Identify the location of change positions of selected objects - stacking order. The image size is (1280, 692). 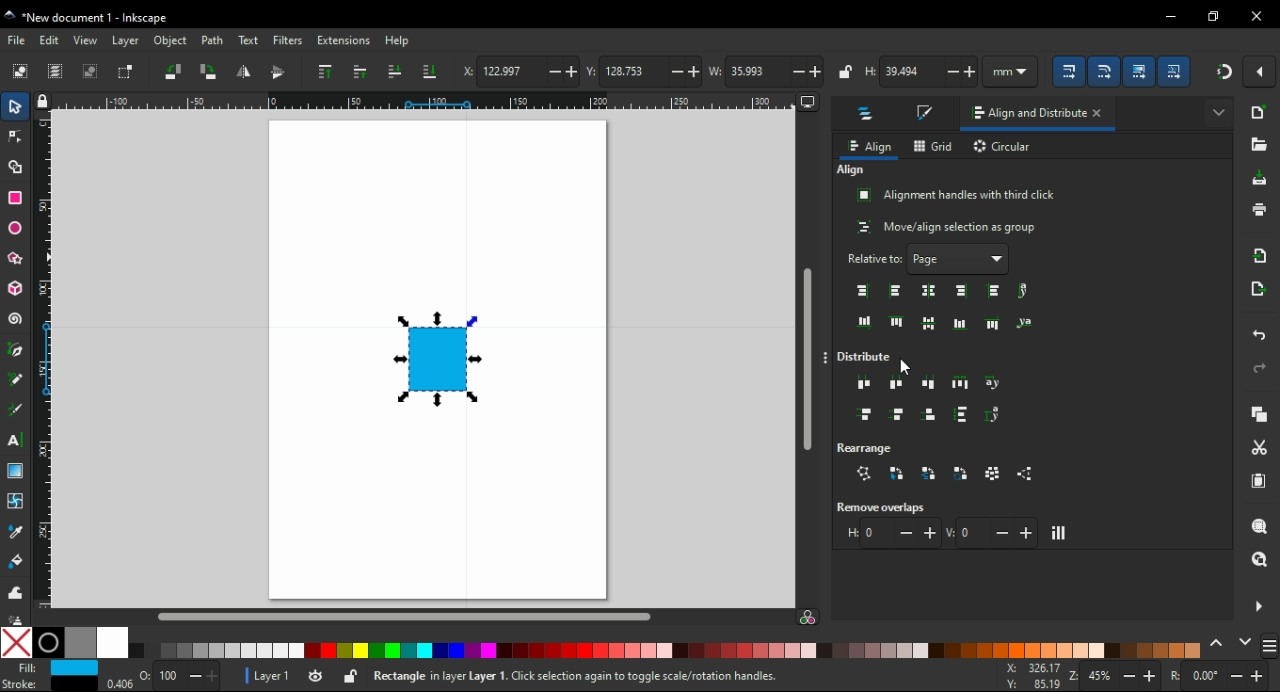
(928, 473).